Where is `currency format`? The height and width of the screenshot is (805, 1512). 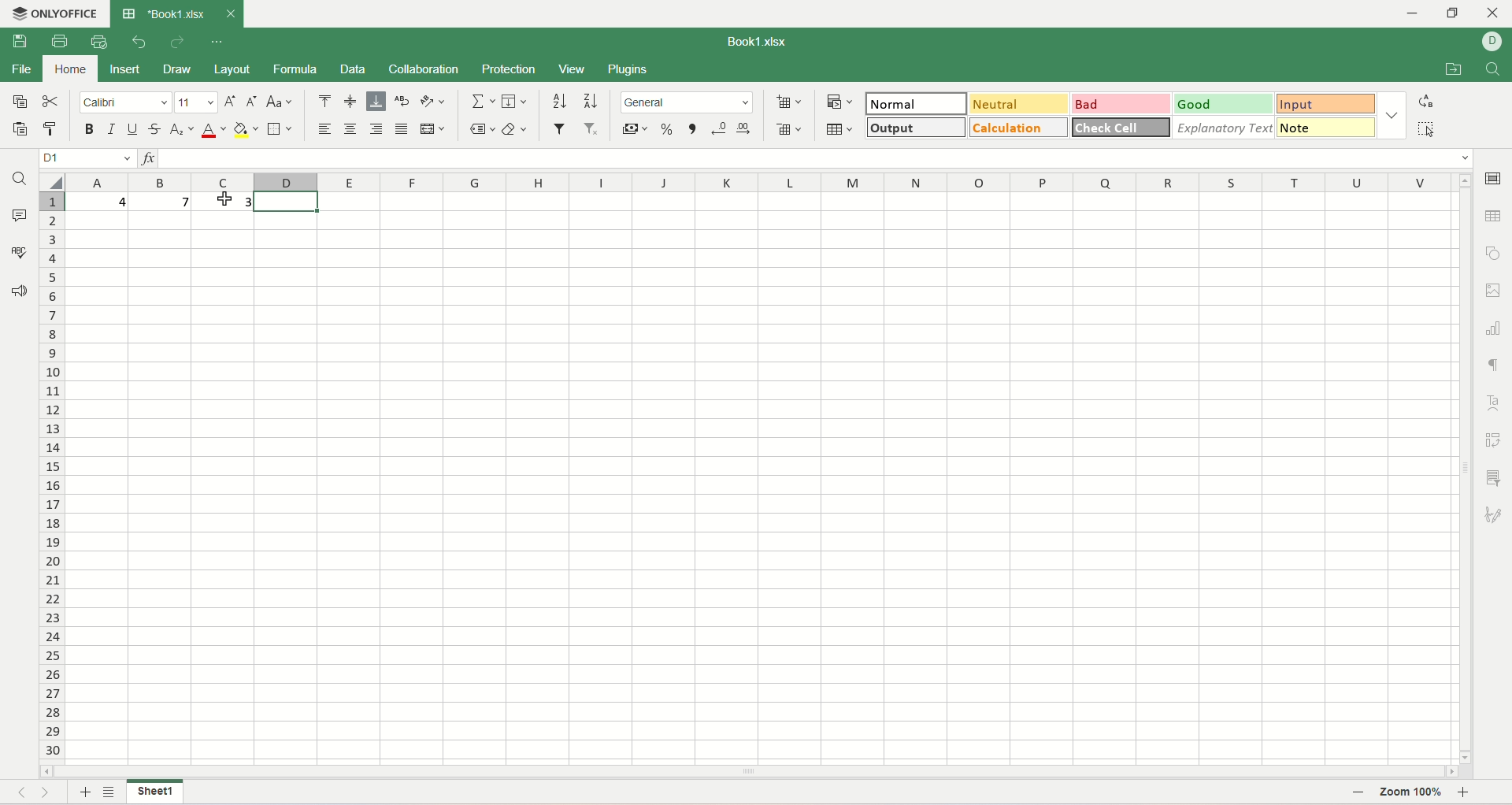
currency format is located at coordinates (634, 128).